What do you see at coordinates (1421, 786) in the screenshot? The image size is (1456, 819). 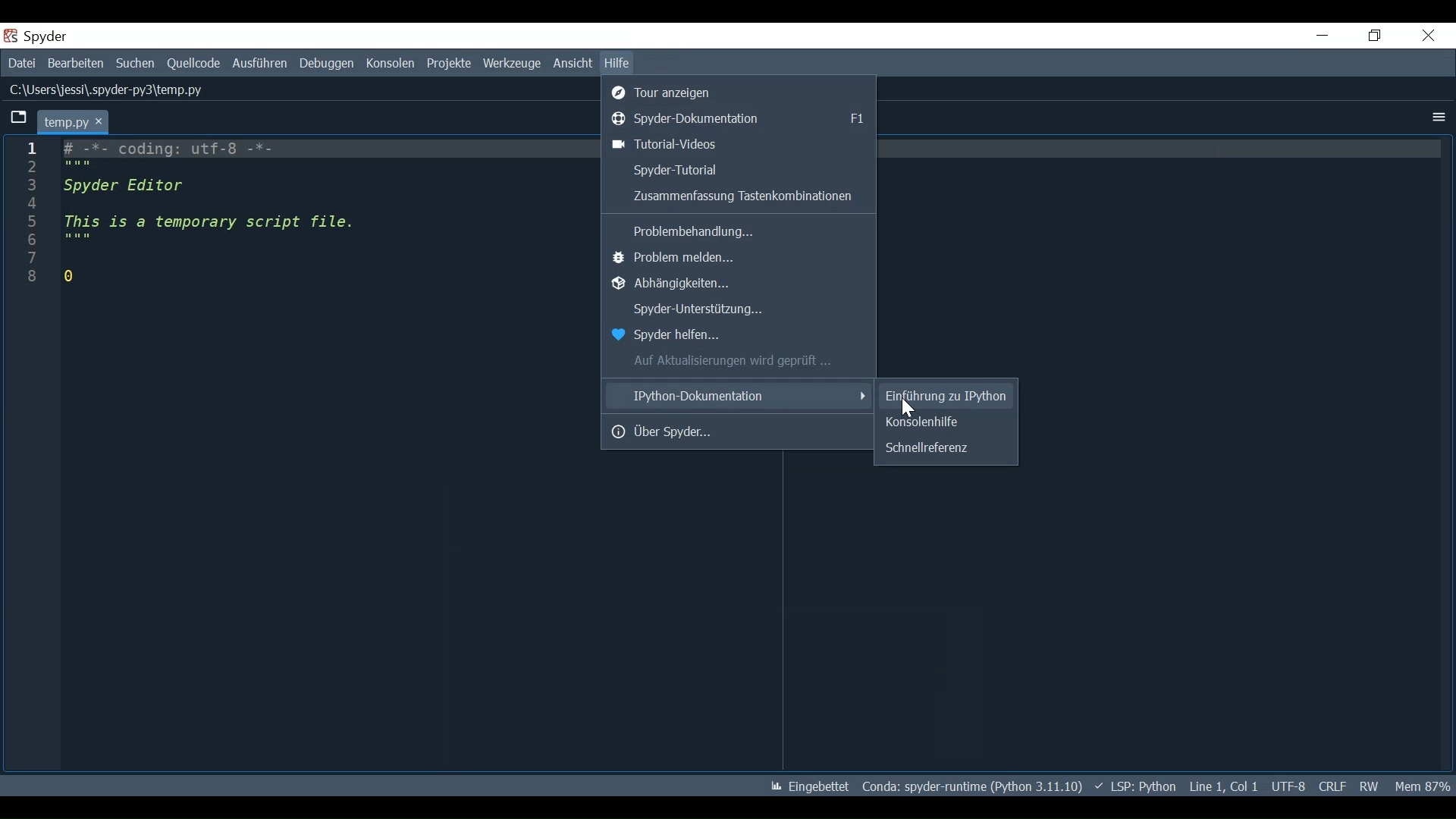 I see `Memory Usage` at bounding box center [1421, 786].